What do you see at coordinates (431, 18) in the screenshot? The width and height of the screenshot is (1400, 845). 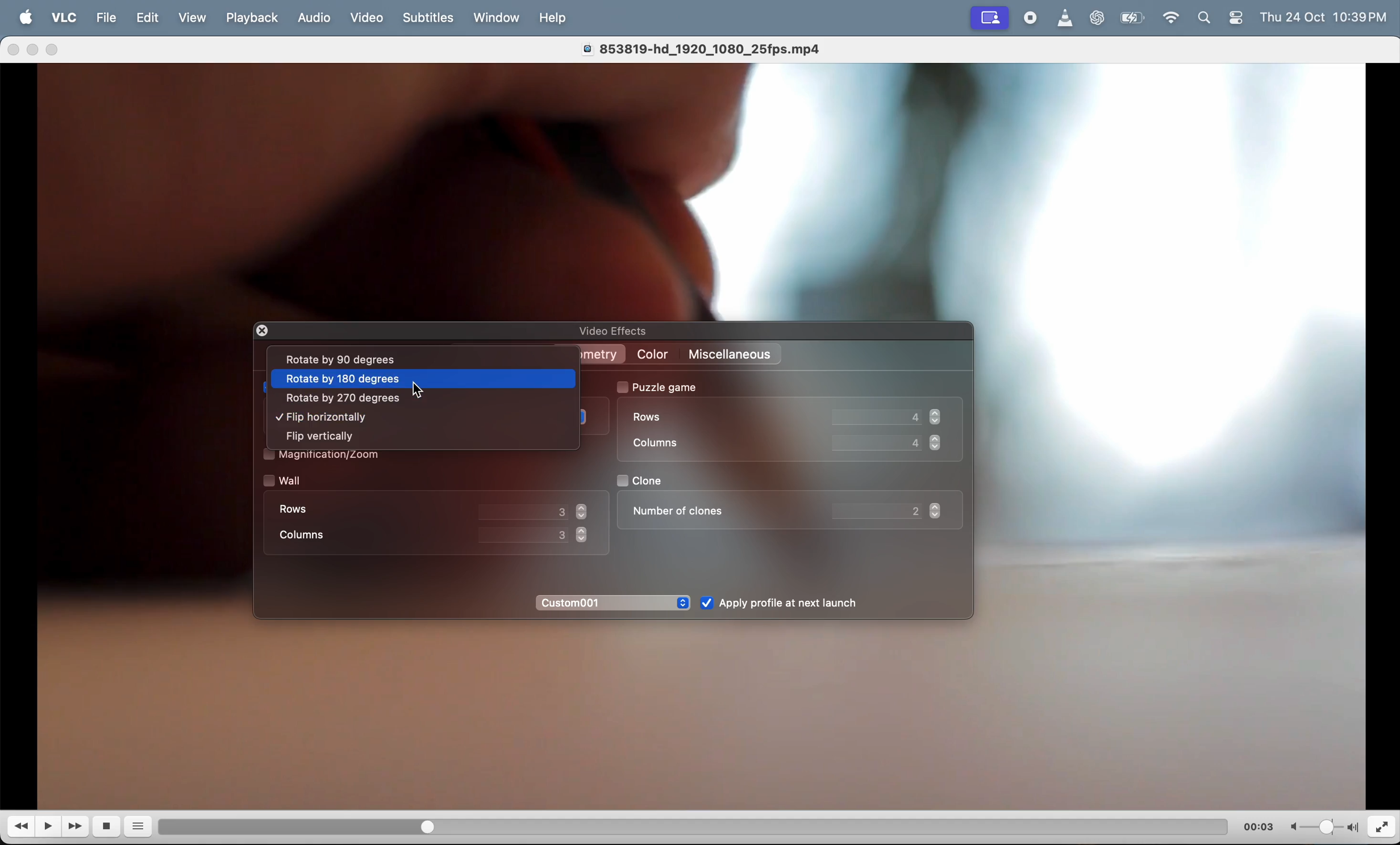 I see `Subtitles` at bounding box center [431, 18].